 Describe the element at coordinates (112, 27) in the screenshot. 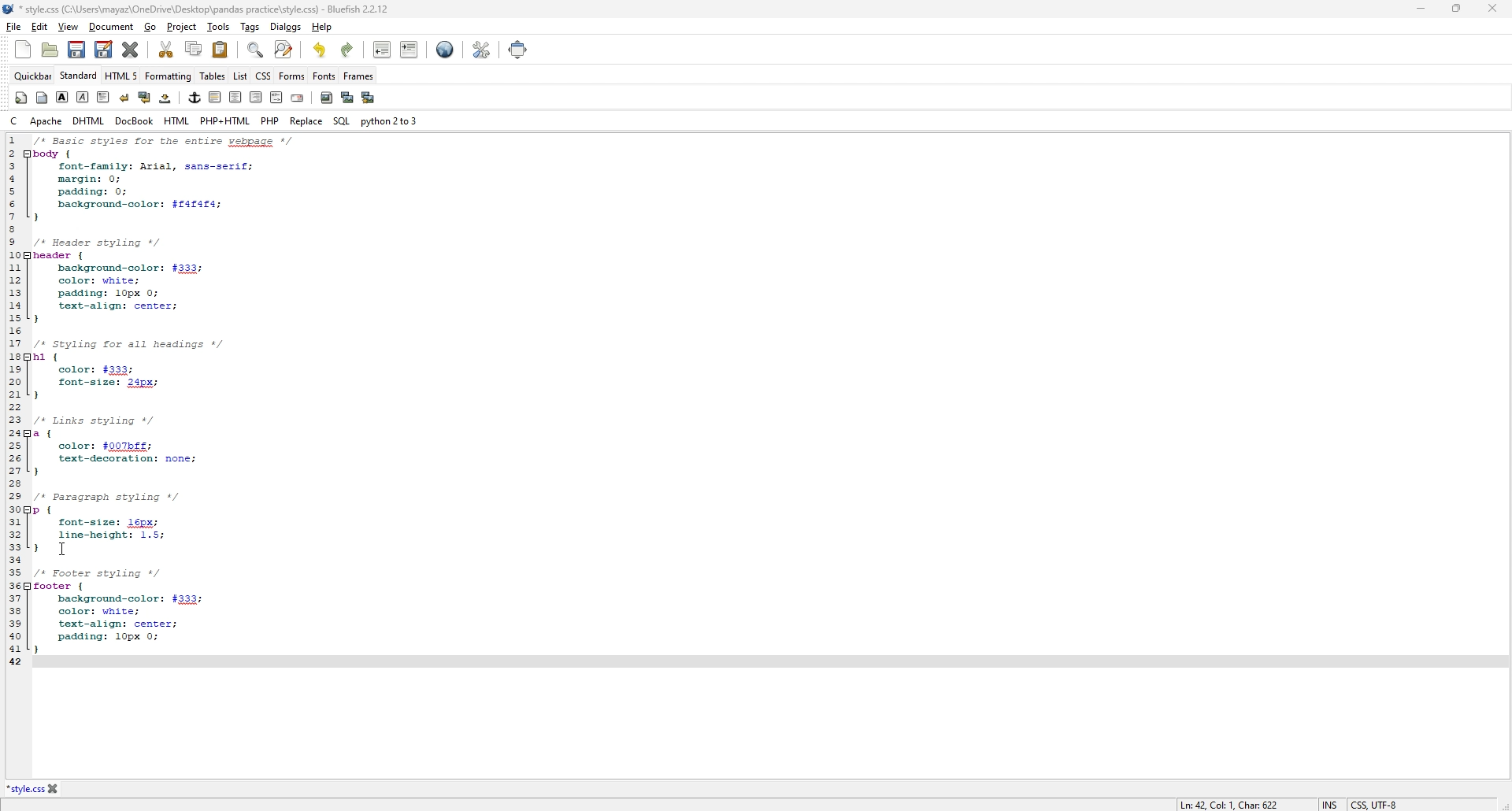

I see `document` at that location.